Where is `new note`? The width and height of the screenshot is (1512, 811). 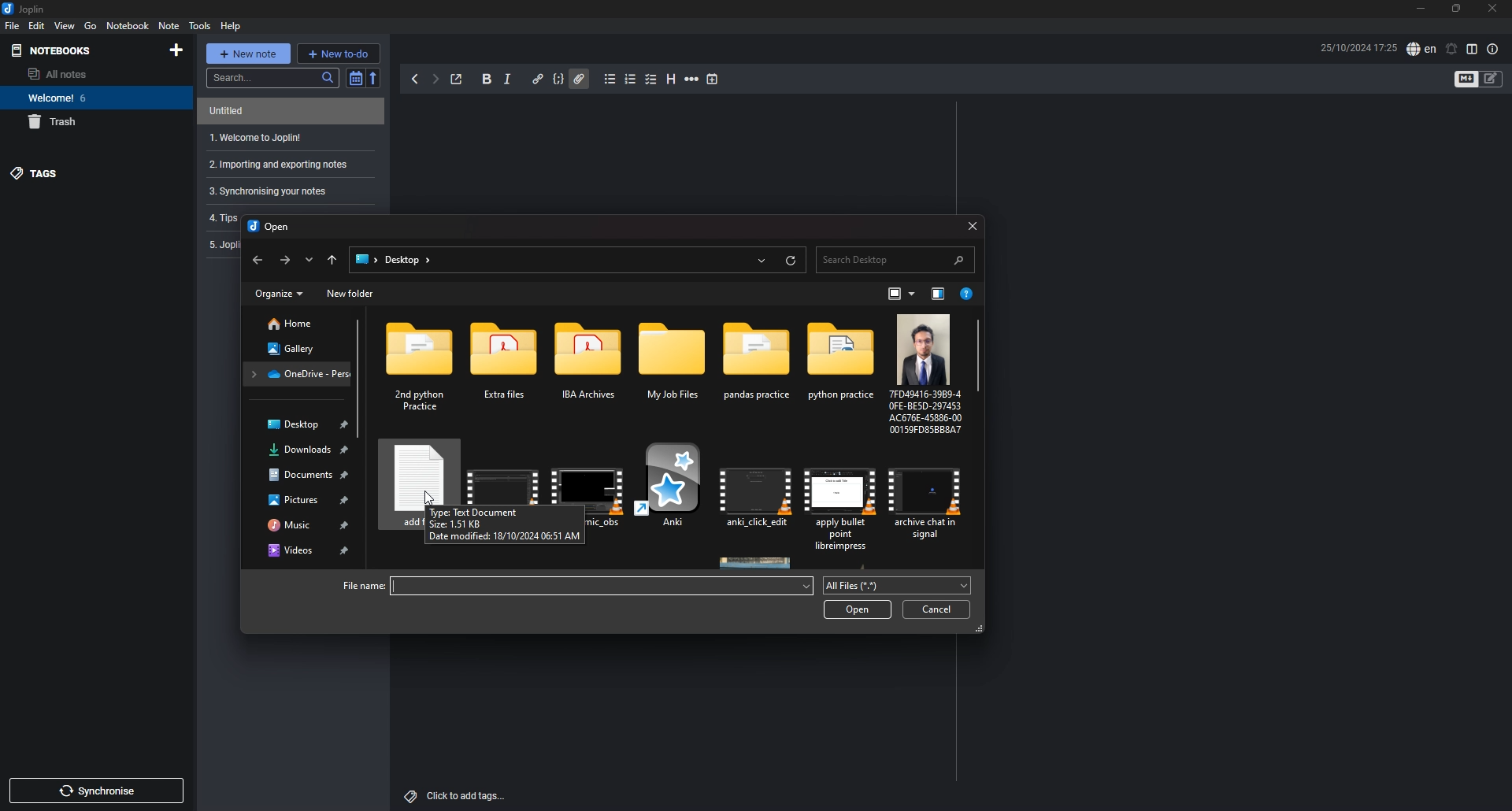 new note is located at coordinates (248, 54).